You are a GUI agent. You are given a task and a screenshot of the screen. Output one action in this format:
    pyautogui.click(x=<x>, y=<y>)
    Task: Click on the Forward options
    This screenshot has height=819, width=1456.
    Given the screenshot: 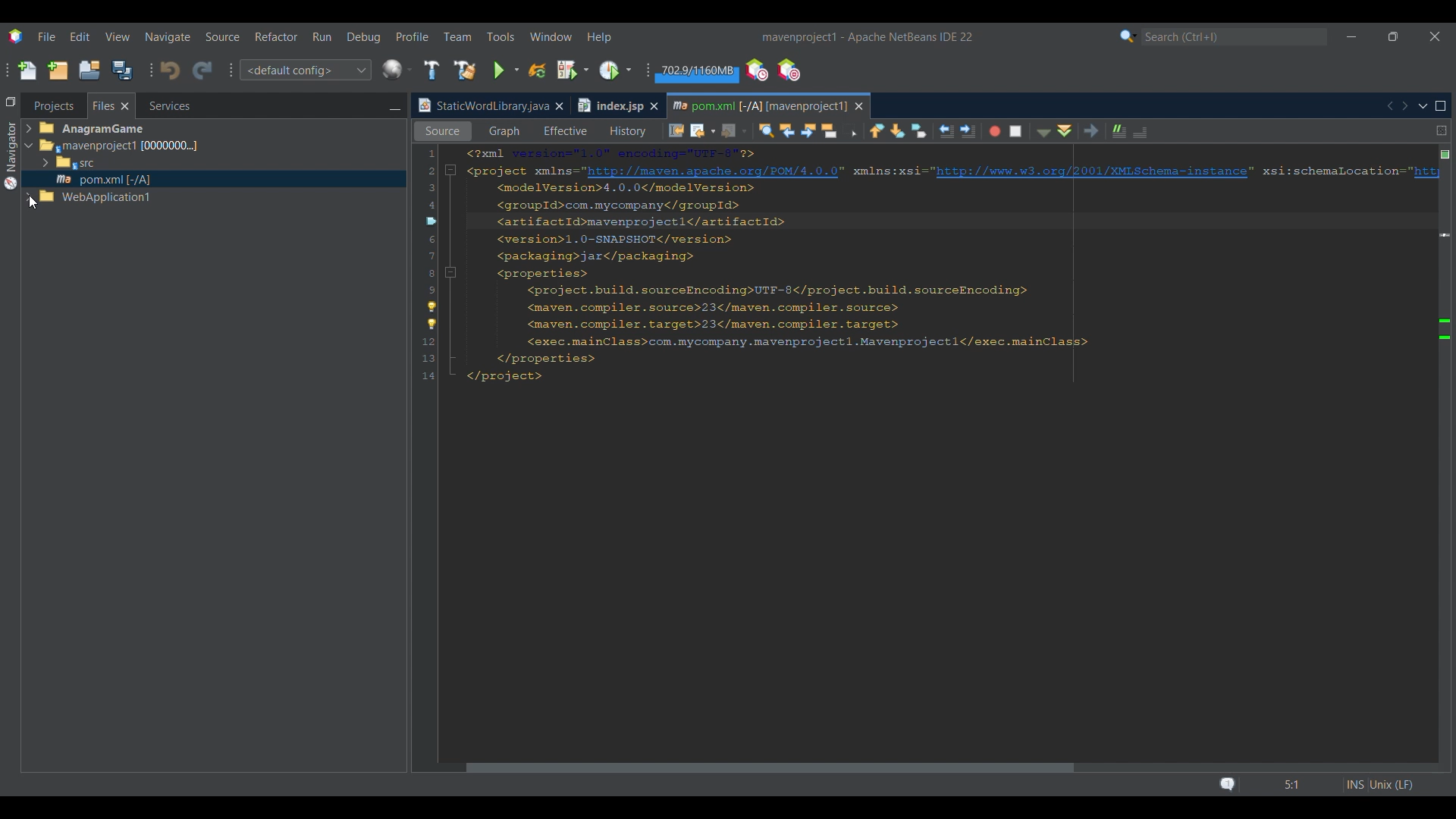 What is the action you would take?
    pyautogui.click(x=730, y=130)
    